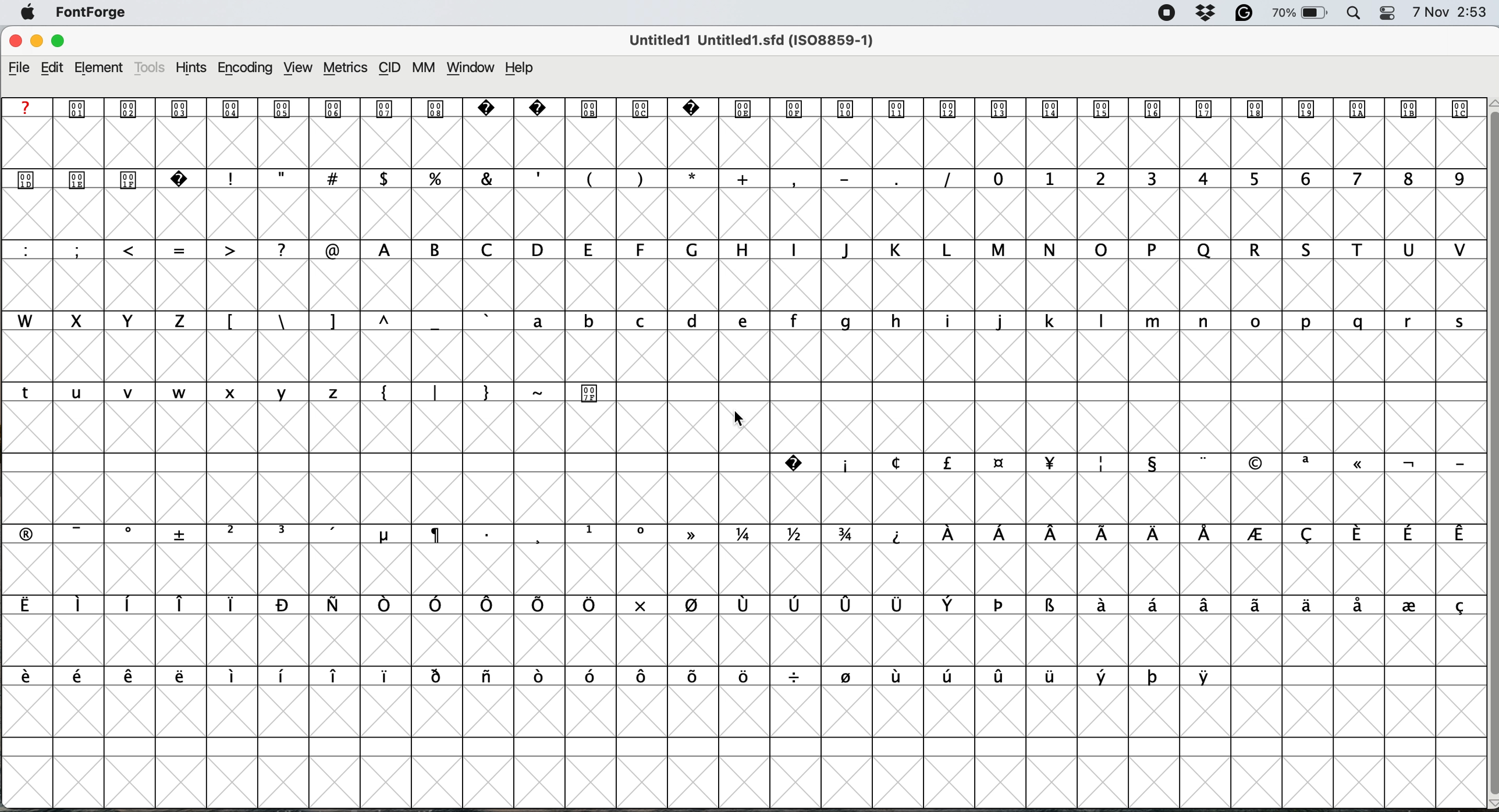 Image resolution: width=1499 pixels, height=812 pixels. I want to click on element, so click(105, 67).